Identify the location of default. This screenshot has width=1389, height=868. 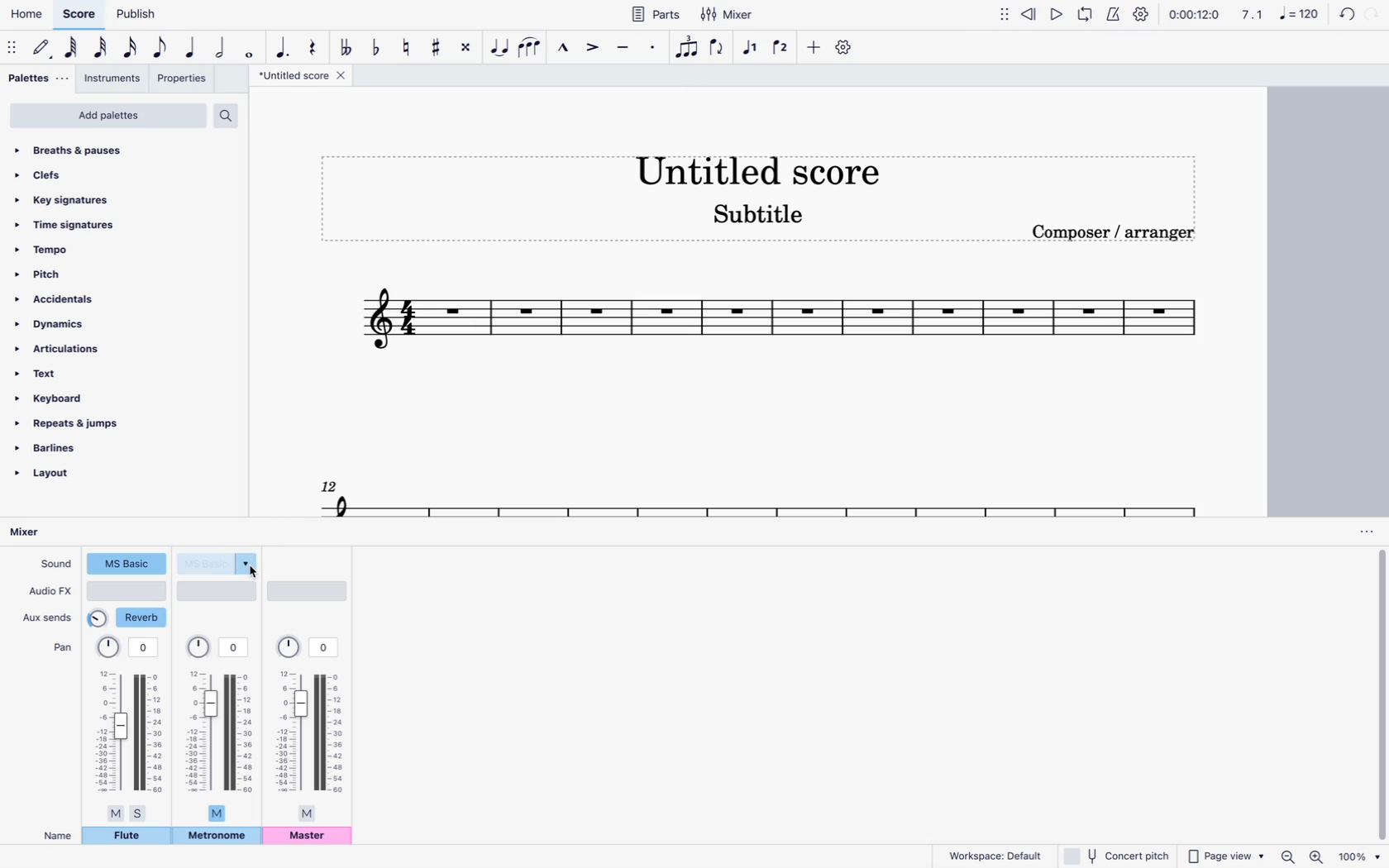
(45, 49).